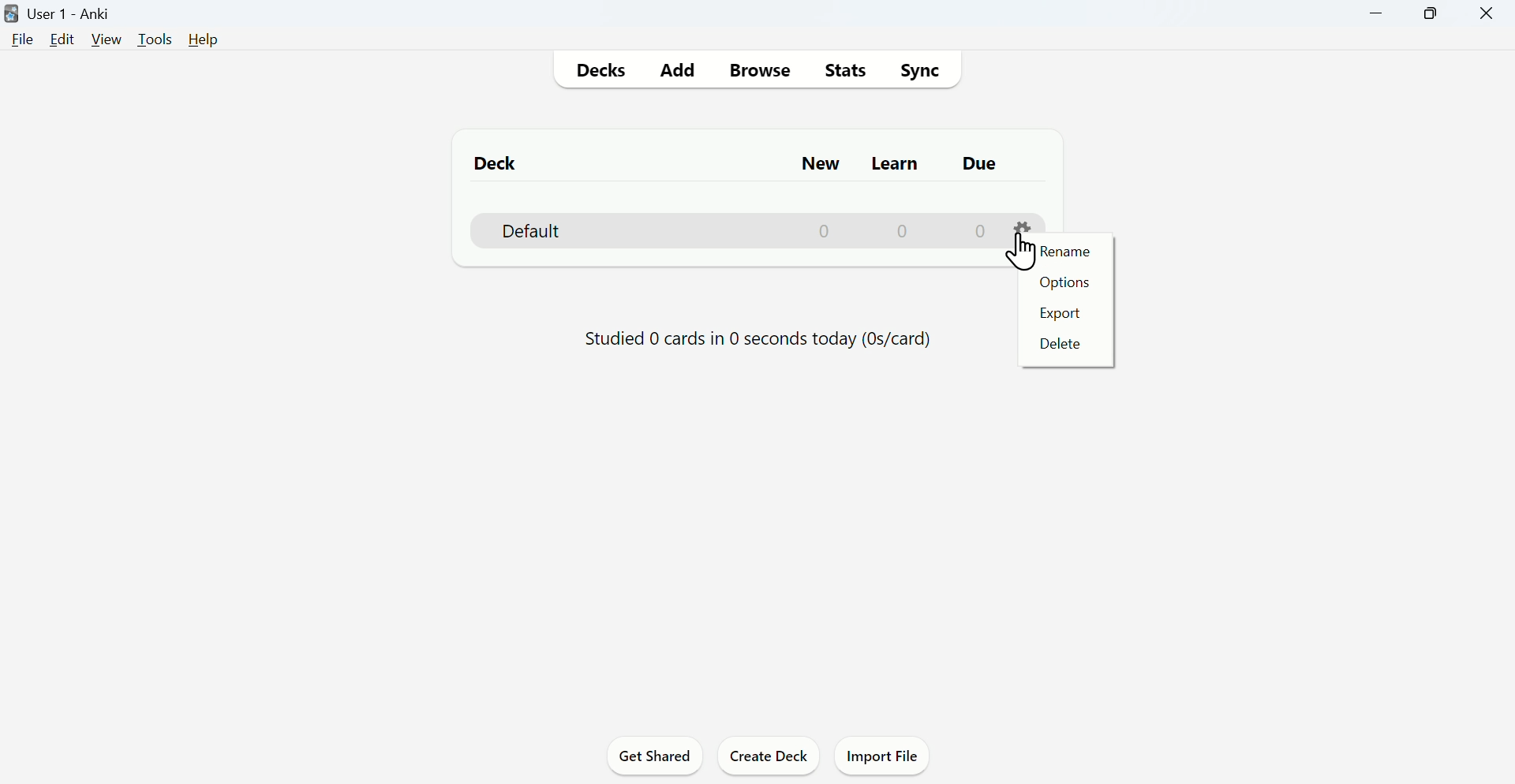  I want to click on Export, so click(1060, 311).